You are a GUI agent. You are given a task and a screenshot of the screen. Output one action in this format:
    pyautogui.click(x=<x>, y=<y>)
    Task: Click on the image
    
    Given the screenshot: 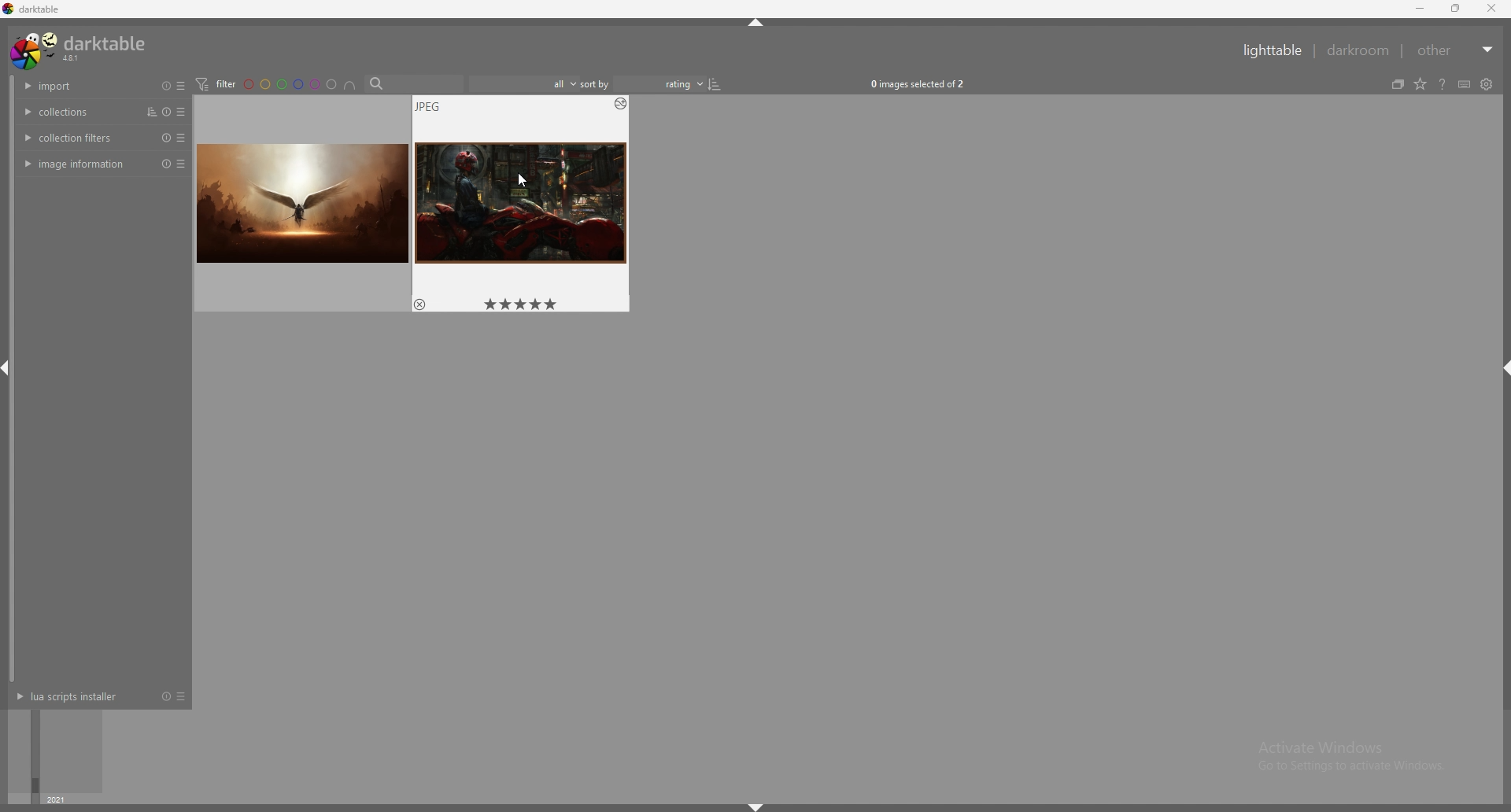 What is the action you would take?
    pyautogui.click(x=302, y=203)
    